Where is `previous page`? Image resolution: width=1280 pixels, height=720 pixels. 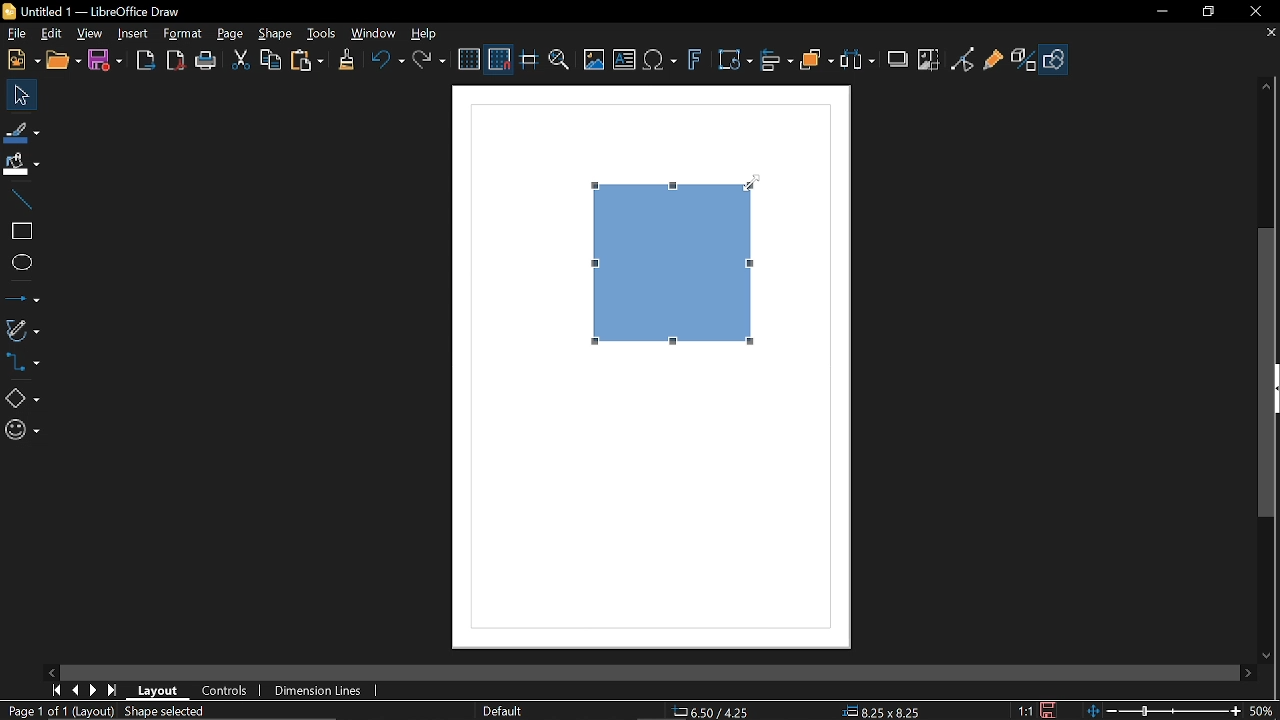
previous page is located at coordinates (76, 690).